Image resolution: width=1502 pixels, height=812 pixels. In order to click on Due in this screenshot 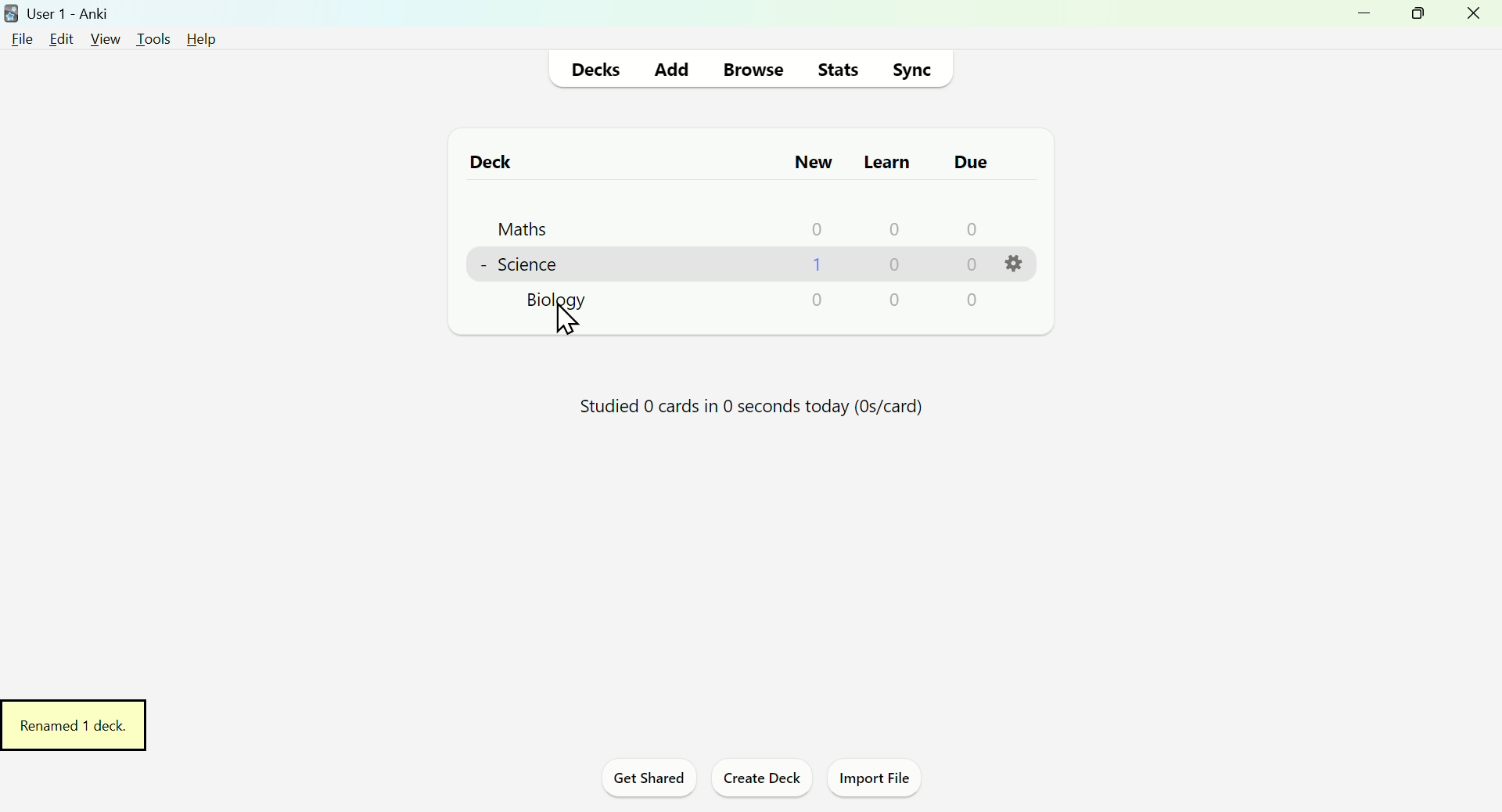, I will do `click(966, 162)`.